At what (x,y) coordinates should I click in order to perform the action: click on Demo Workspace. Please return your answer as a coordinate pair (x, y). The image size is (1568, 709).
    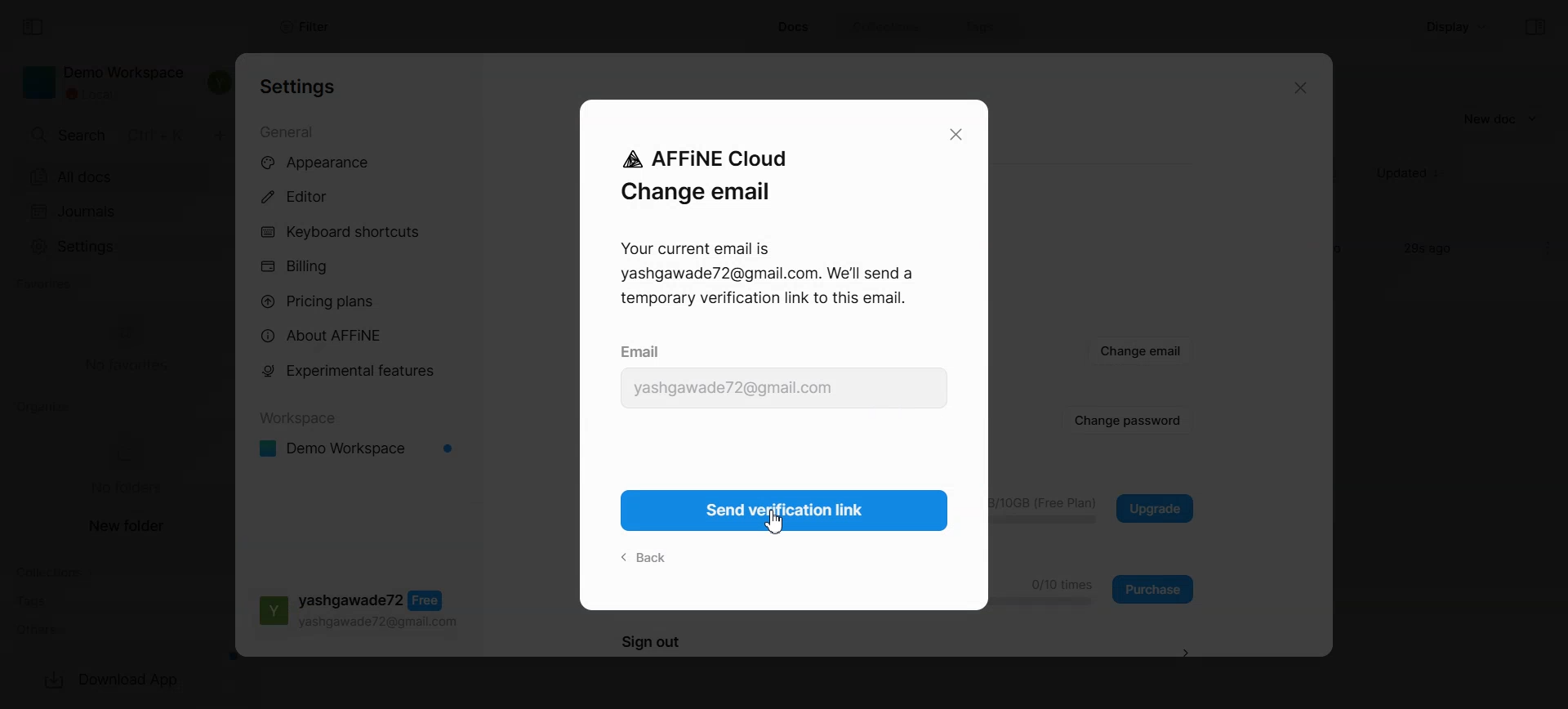
    Looking at the image, I should click on (357, 448).